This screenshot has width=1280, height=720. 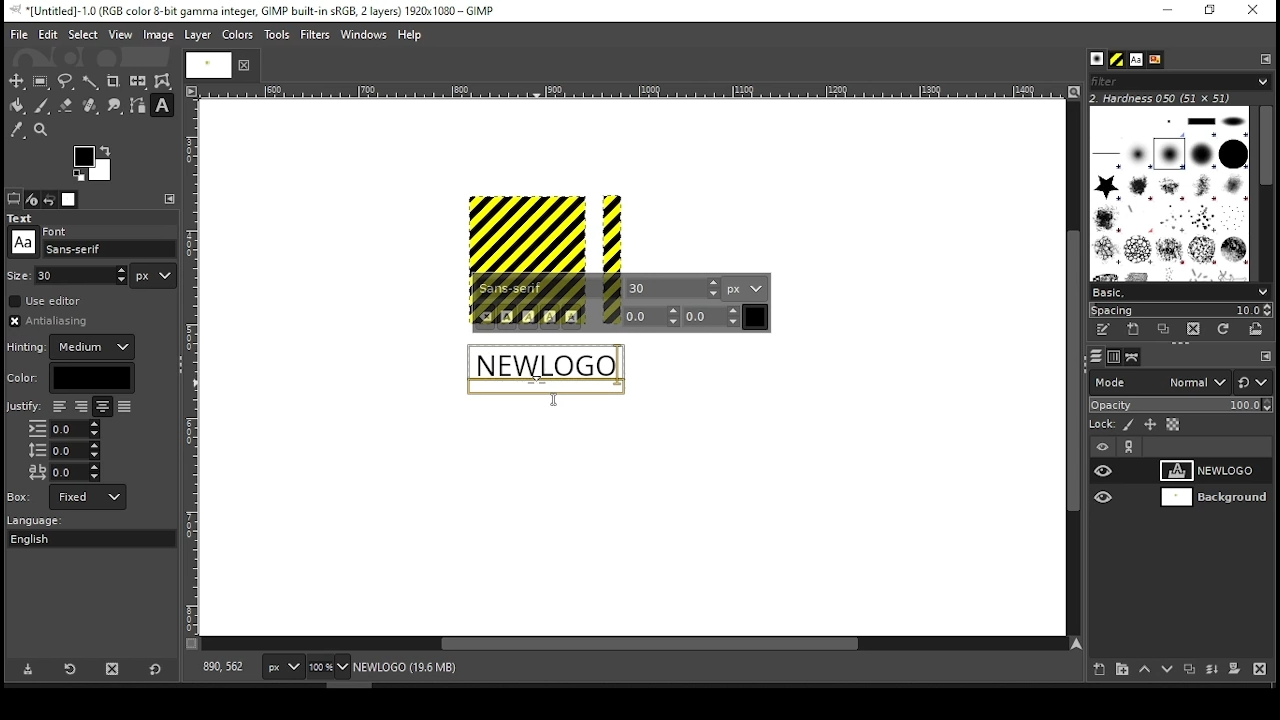 I want to click on create a new brush, so click(x=1136, y=329).